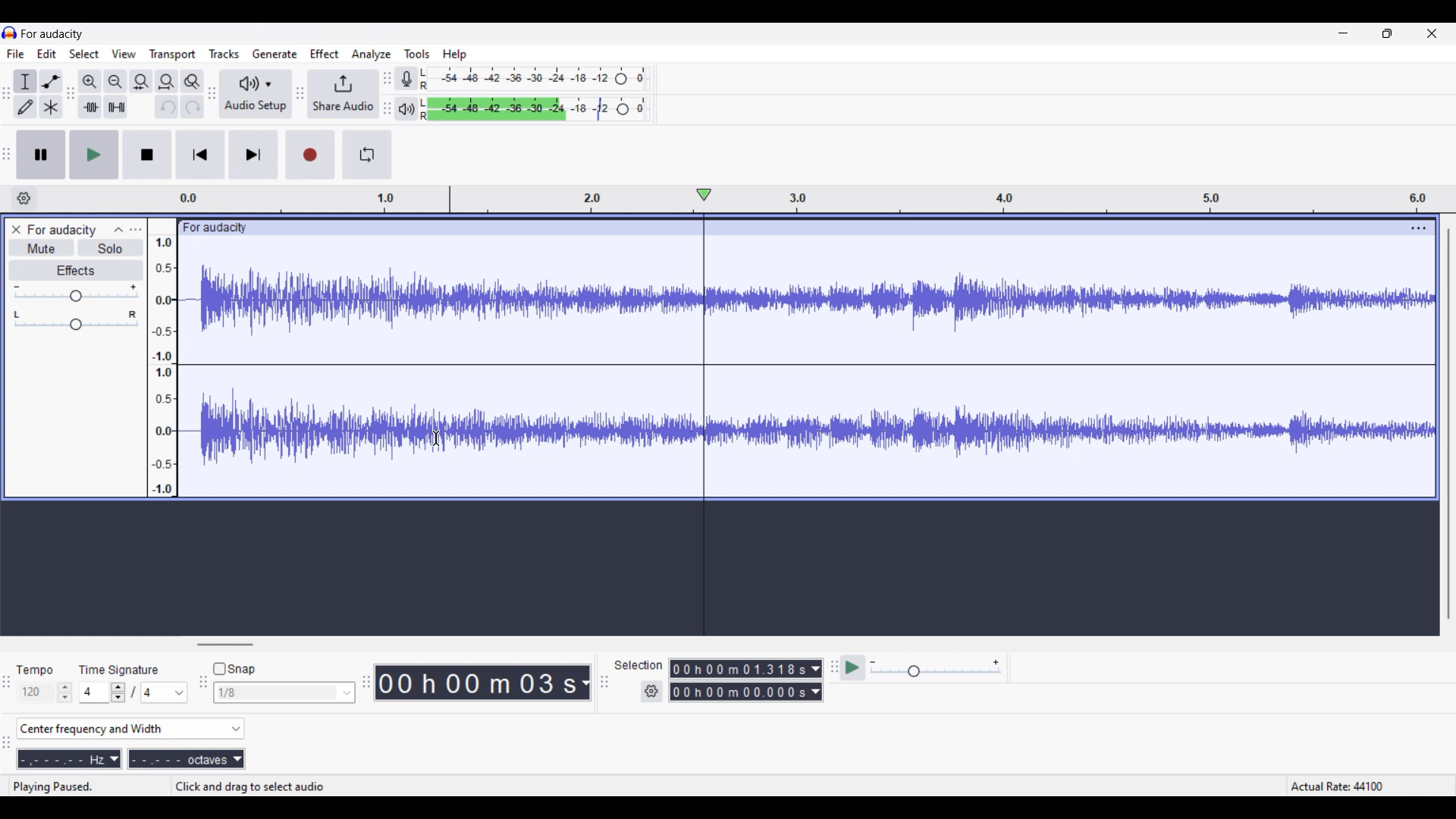 Image resolution: width=1456 pixels, height=819 pixels. What do you see at coordinates (52, 34) in the screenshot?
I see `Software name` at bounding box center [52, 34].